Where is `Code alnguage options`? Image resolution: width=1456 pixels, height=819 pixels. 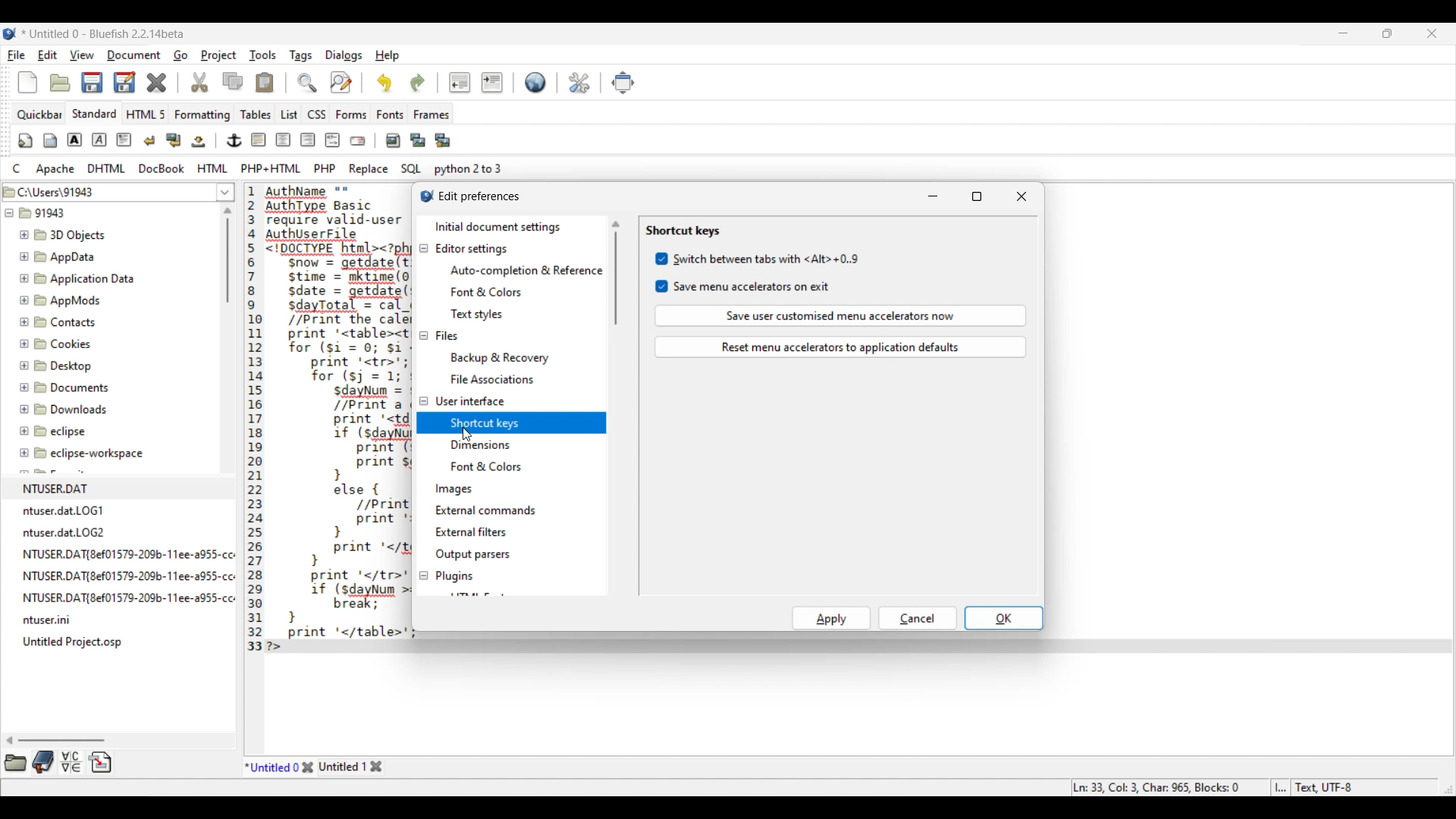
Code alnguage options is located at coordinates (256, 168).